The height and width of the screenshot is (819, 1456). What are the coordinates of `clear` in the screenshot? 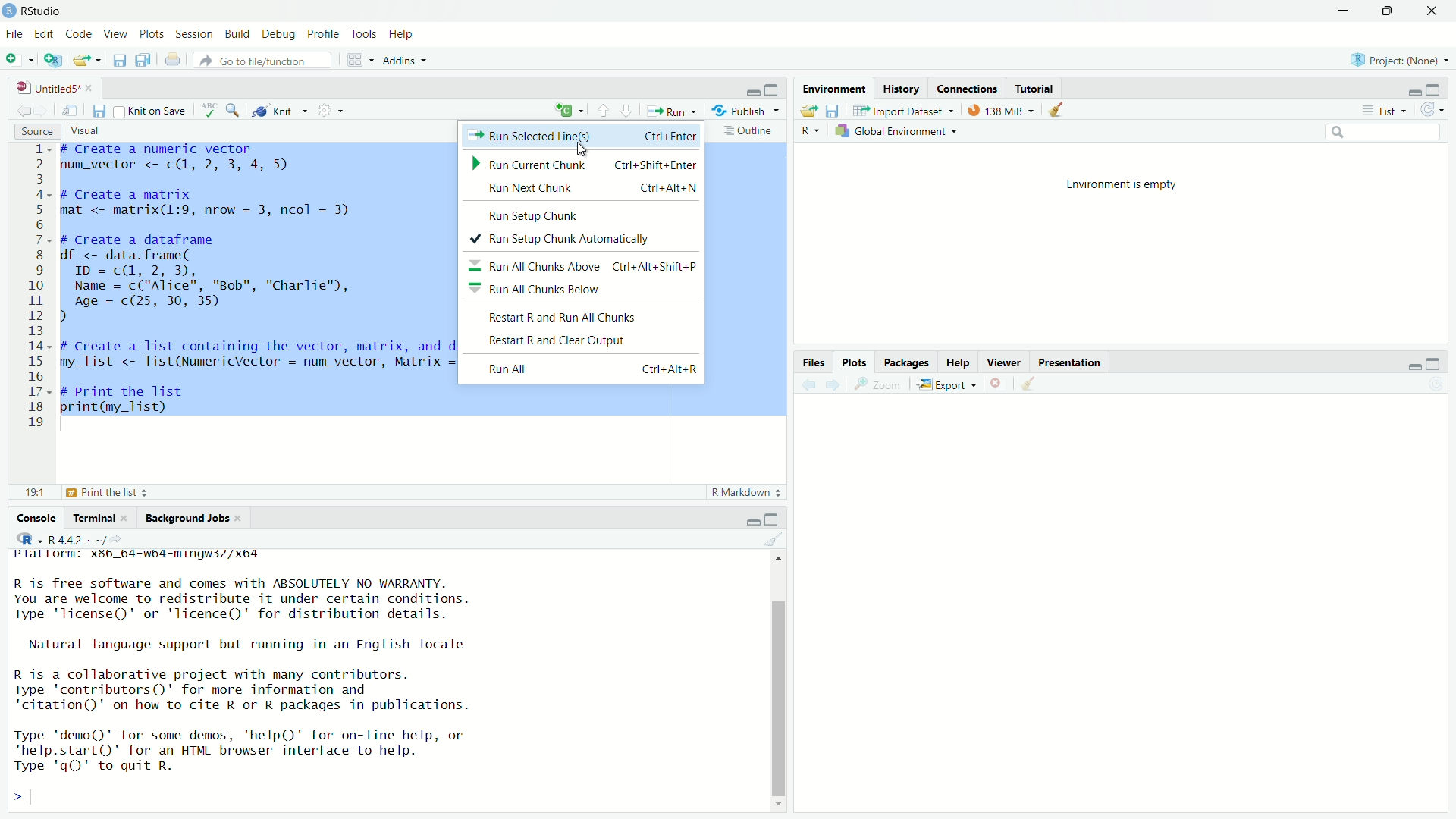 It's located at (1059, 111).